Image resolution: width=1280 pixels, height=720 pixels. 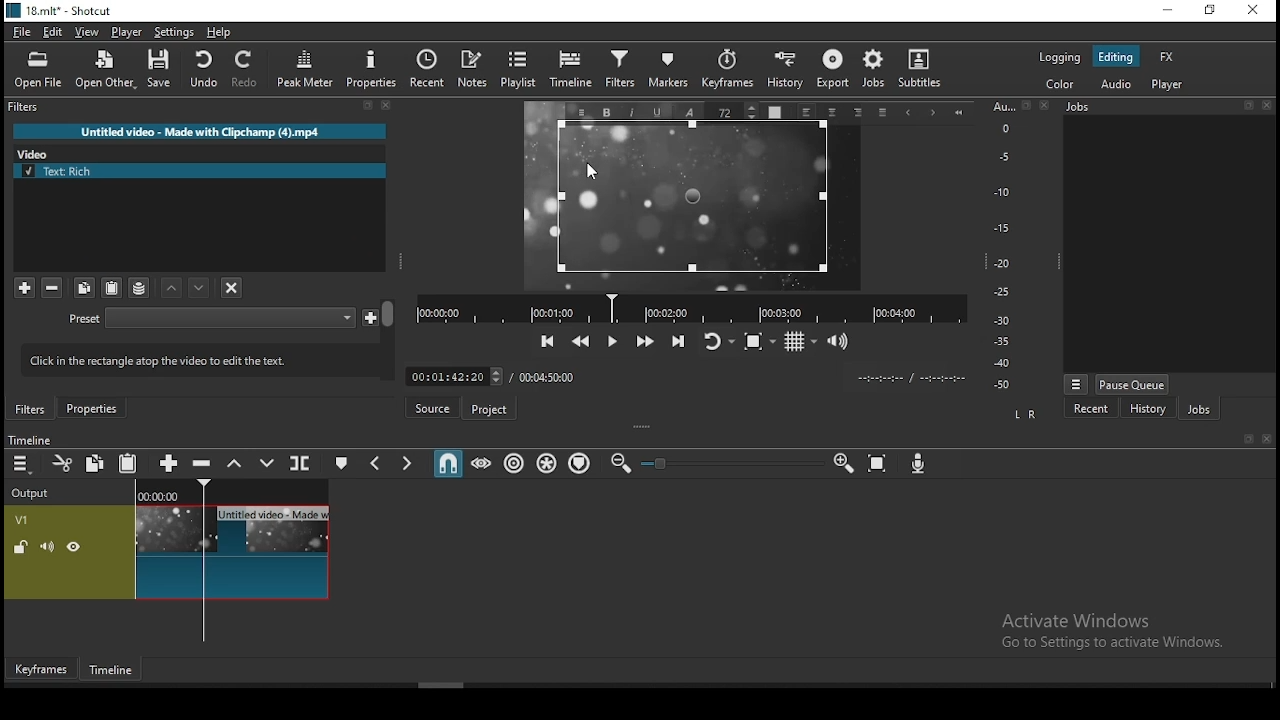 I want to click on save filter sets, so click(x=139, y=287).